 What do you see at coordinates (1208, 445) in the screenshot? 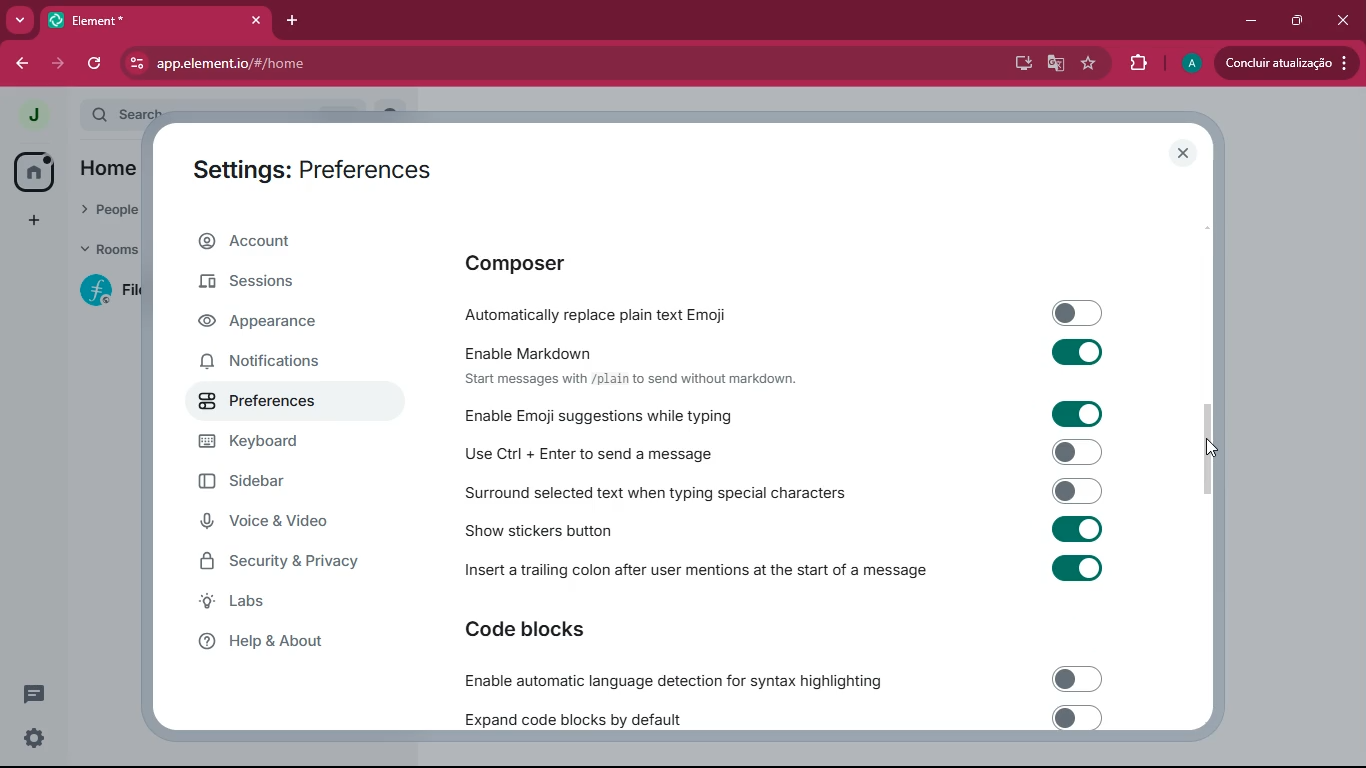
I see `scroll bar` at bounding box center [1208, 445].